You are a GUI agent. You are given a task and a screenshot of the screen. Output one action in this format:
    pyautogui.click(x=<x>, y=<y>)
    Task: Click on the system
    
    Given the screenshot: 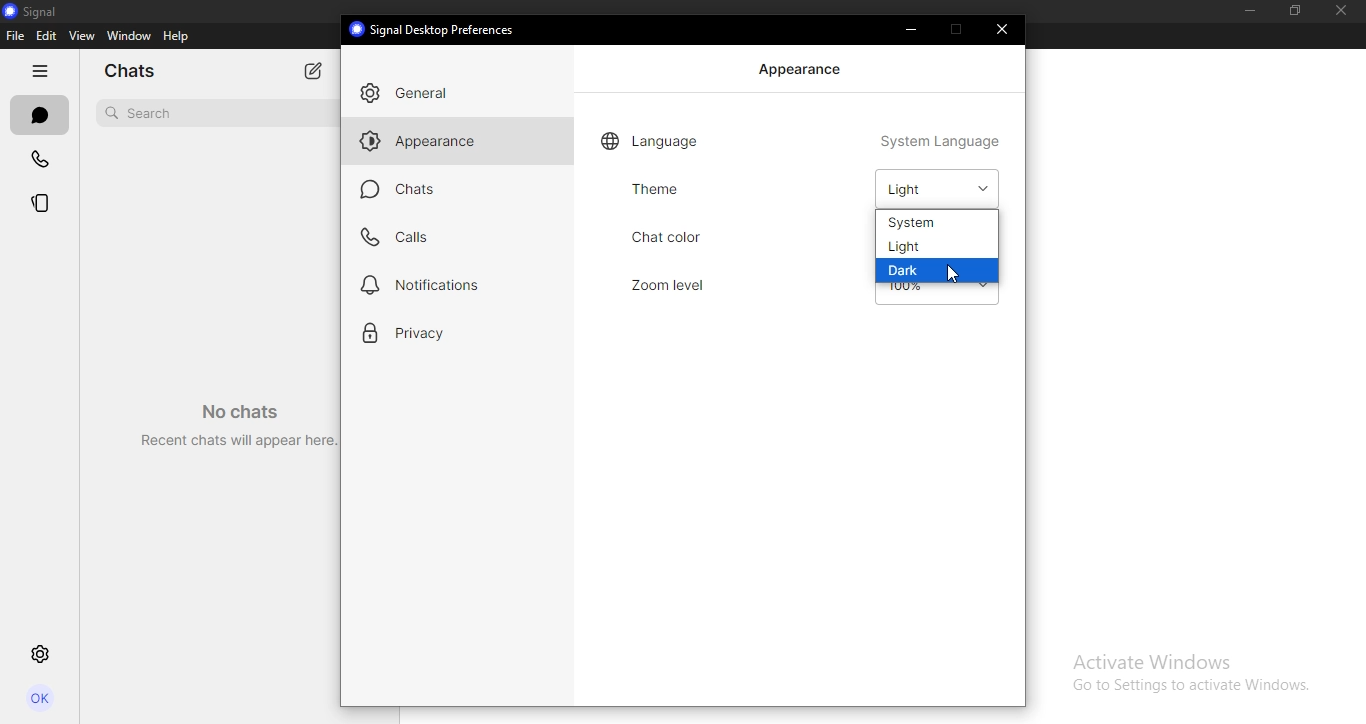 What is the action you would take?
    pyautogui.click(x=917, y=223)
    